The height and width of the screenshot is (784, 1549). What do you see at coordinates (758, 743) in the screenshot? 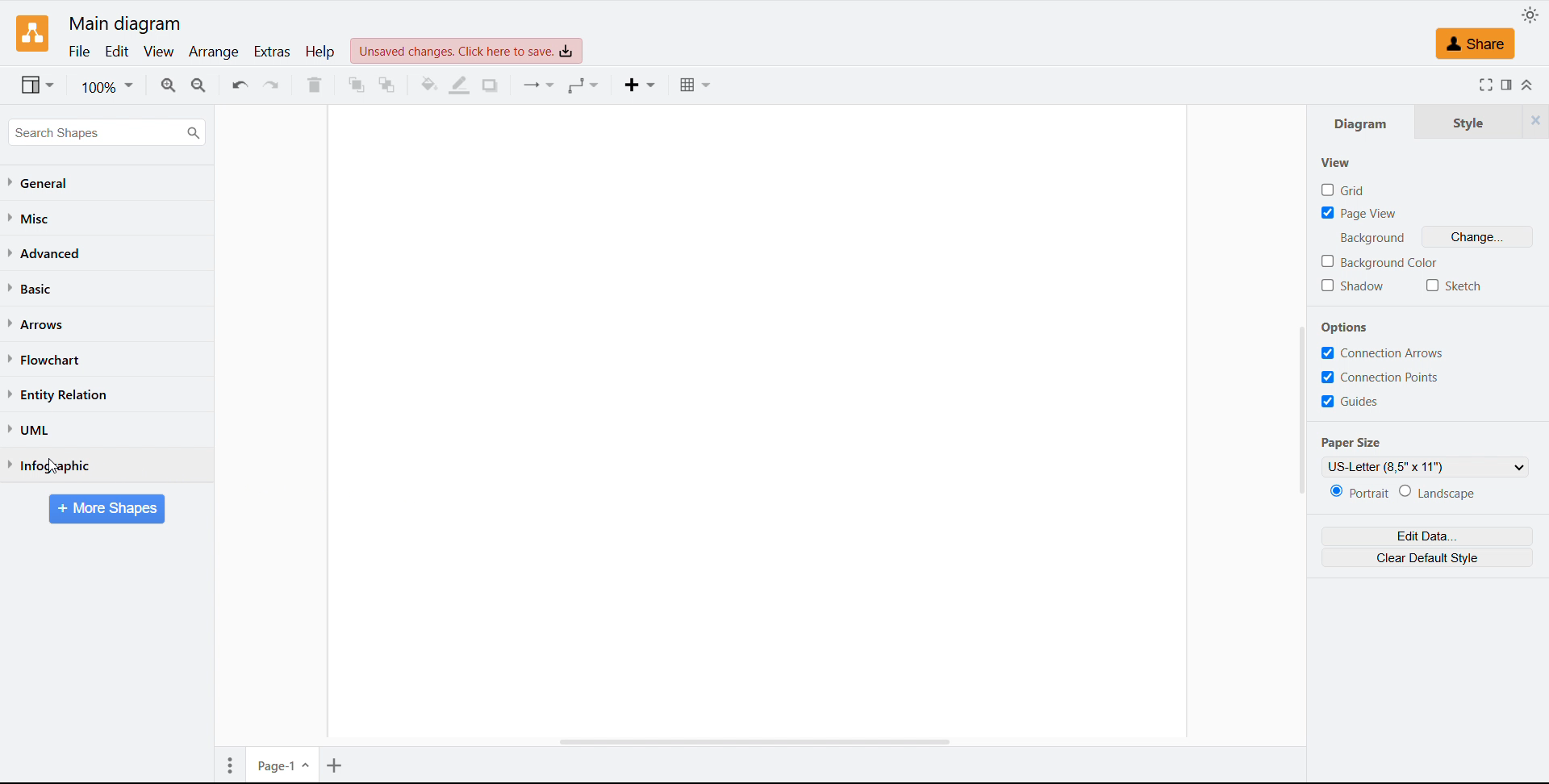
I see `Horizontal scroll bar ` at bounding box center [758, 743].